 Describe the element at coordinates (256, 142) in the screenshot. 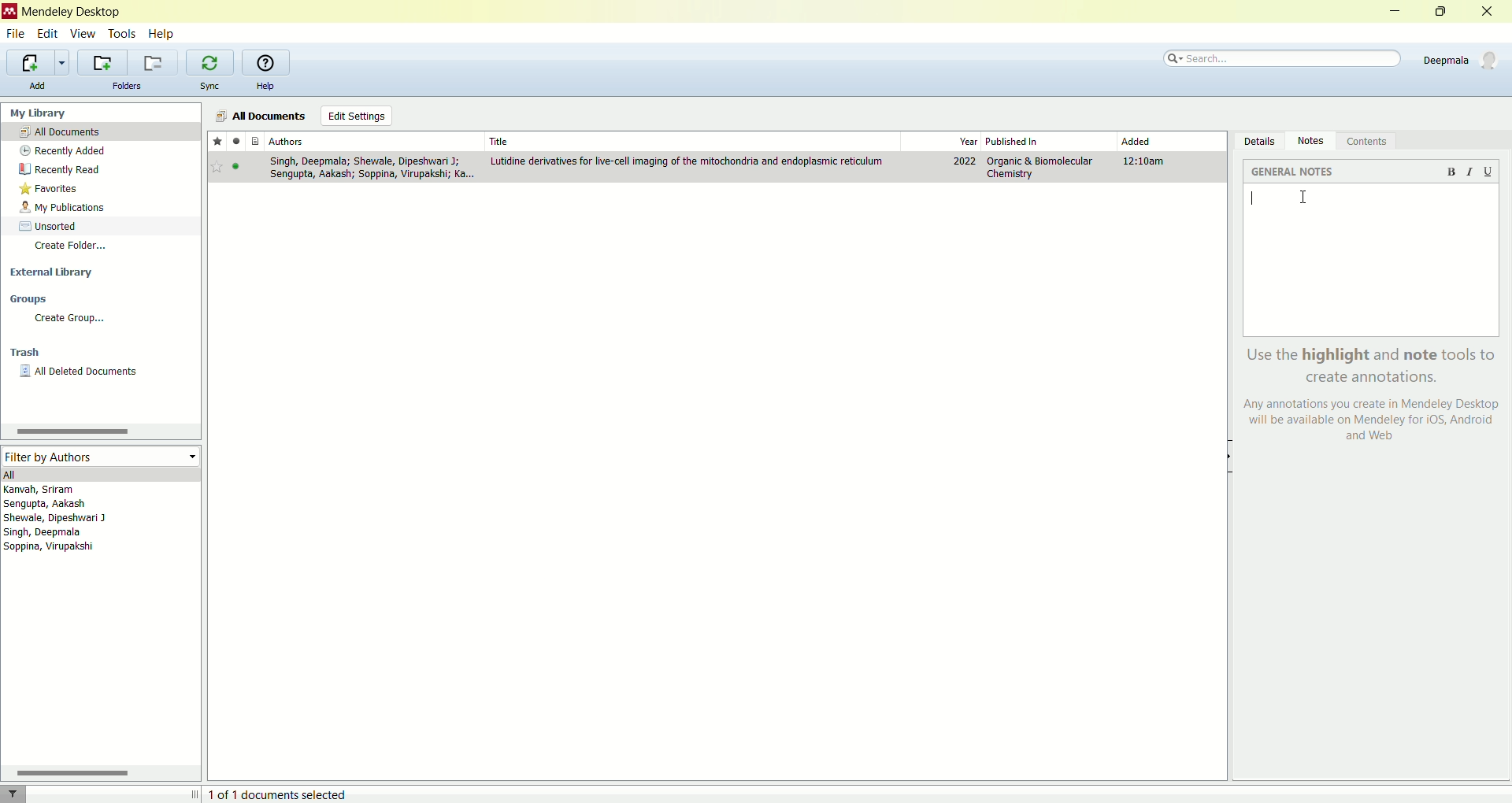

I see `documents` at that location.